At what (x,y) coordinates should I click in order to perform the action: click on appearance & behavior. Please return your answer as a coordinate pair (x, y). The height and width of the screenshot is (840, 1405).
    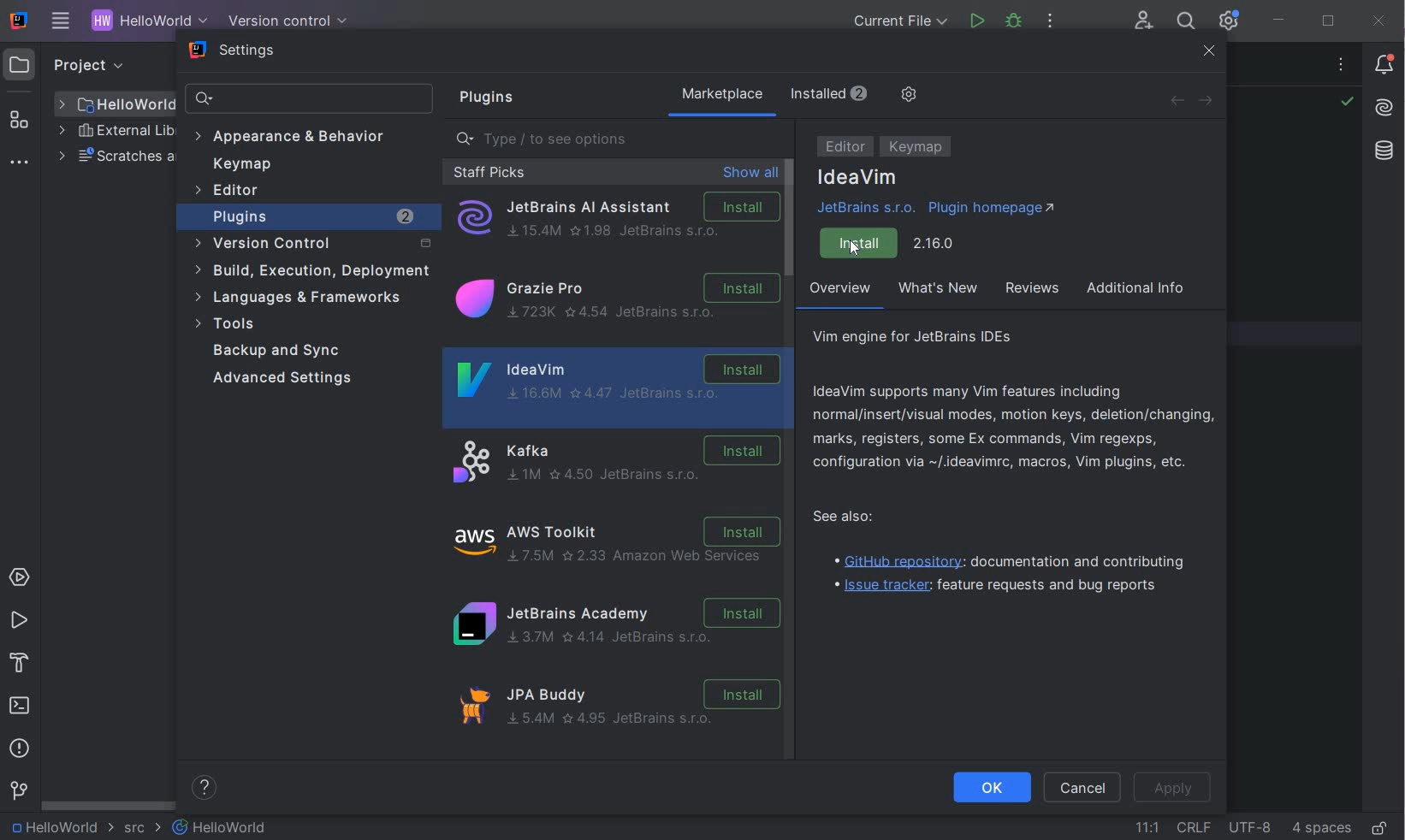
    Looking at the image, I should click on (298, 136).